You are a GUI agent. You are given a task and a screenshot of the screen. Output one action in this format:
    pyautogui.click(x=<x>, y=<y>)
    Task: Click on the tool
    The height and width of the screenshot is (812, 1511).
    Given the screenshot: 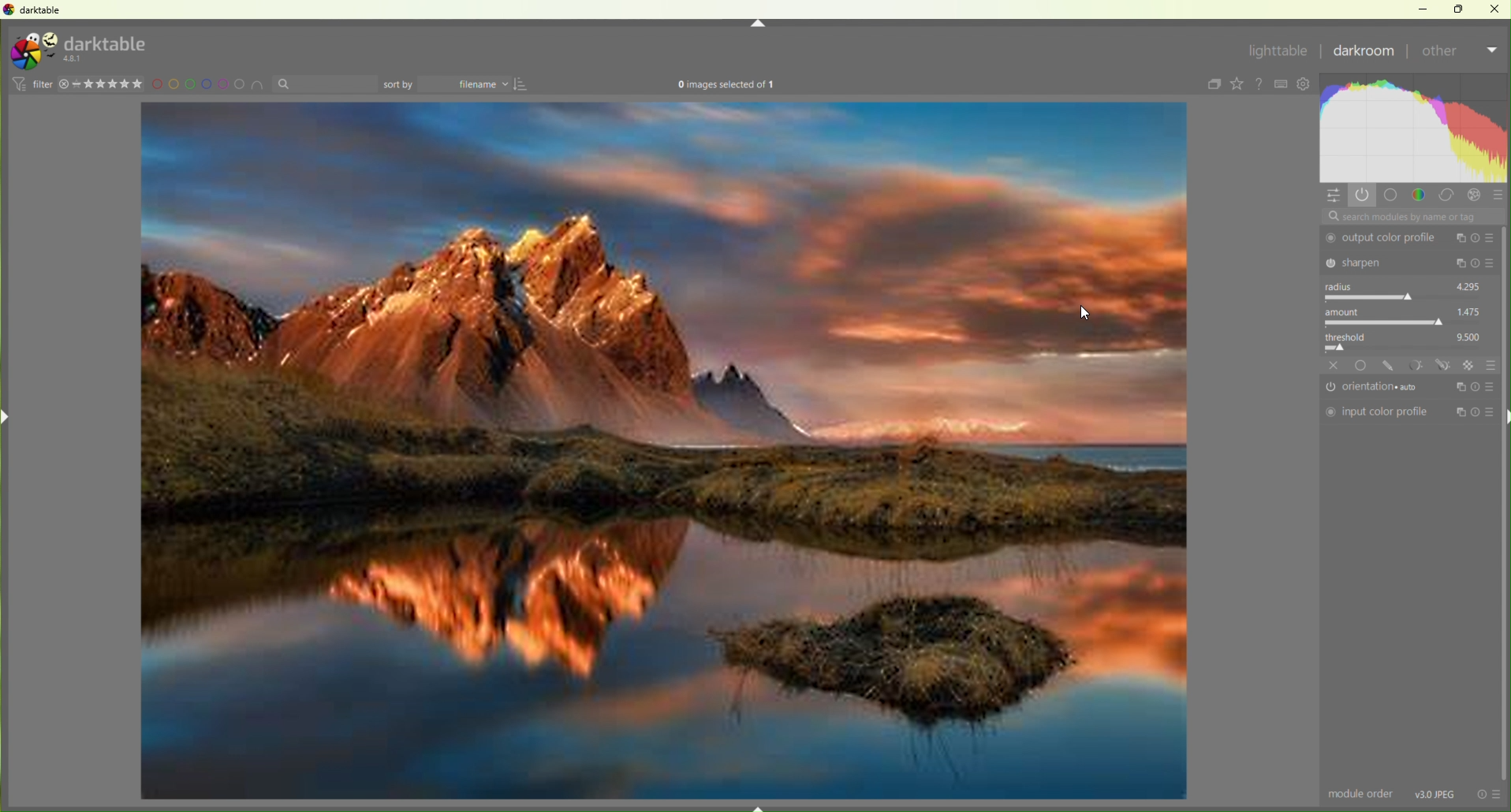 What is the action you would take?
    pyautogui.click(x=1444, y=365)
    